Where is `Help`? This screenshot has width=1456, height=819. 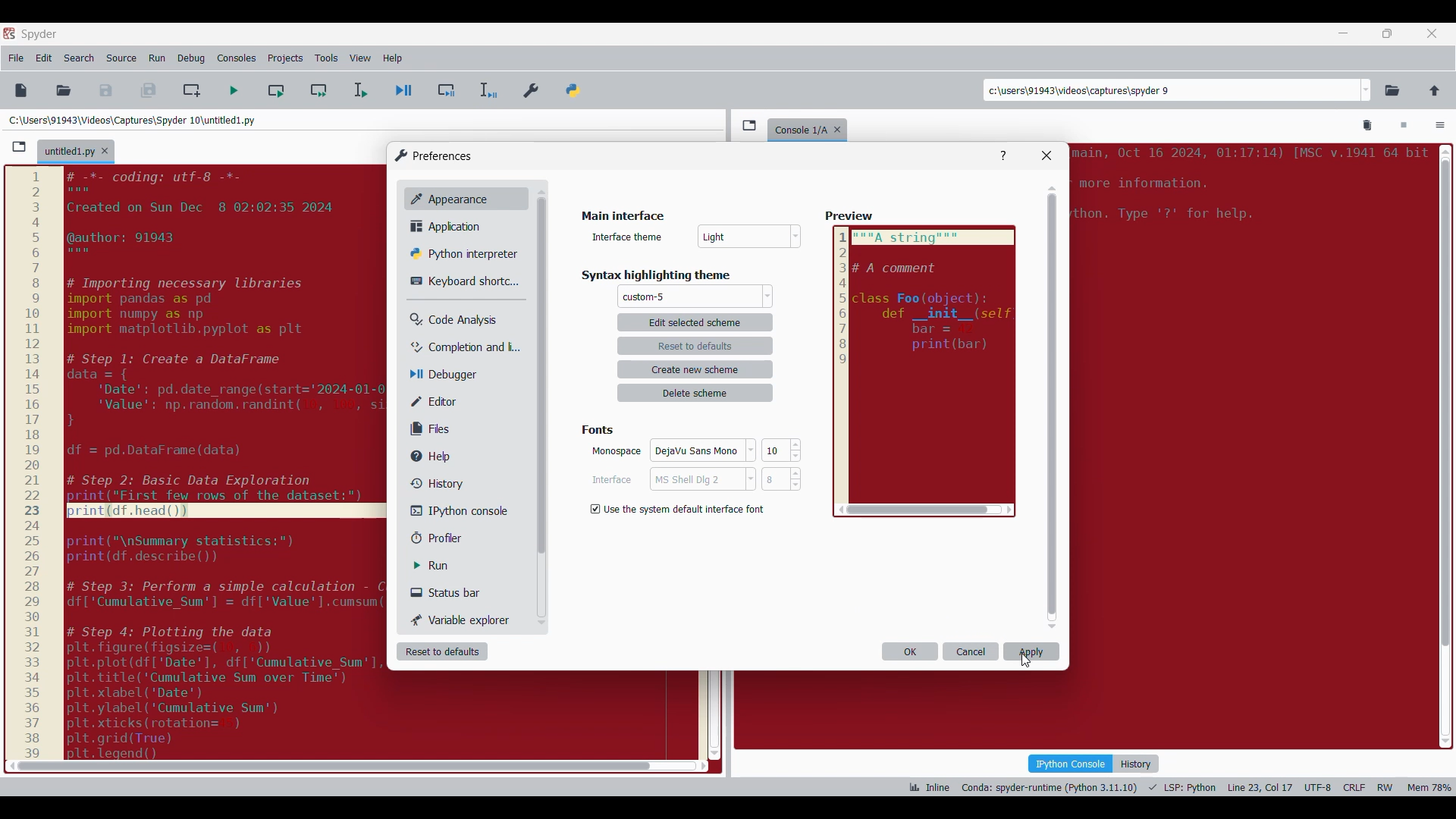
Help is located at coordinates (438, 457).